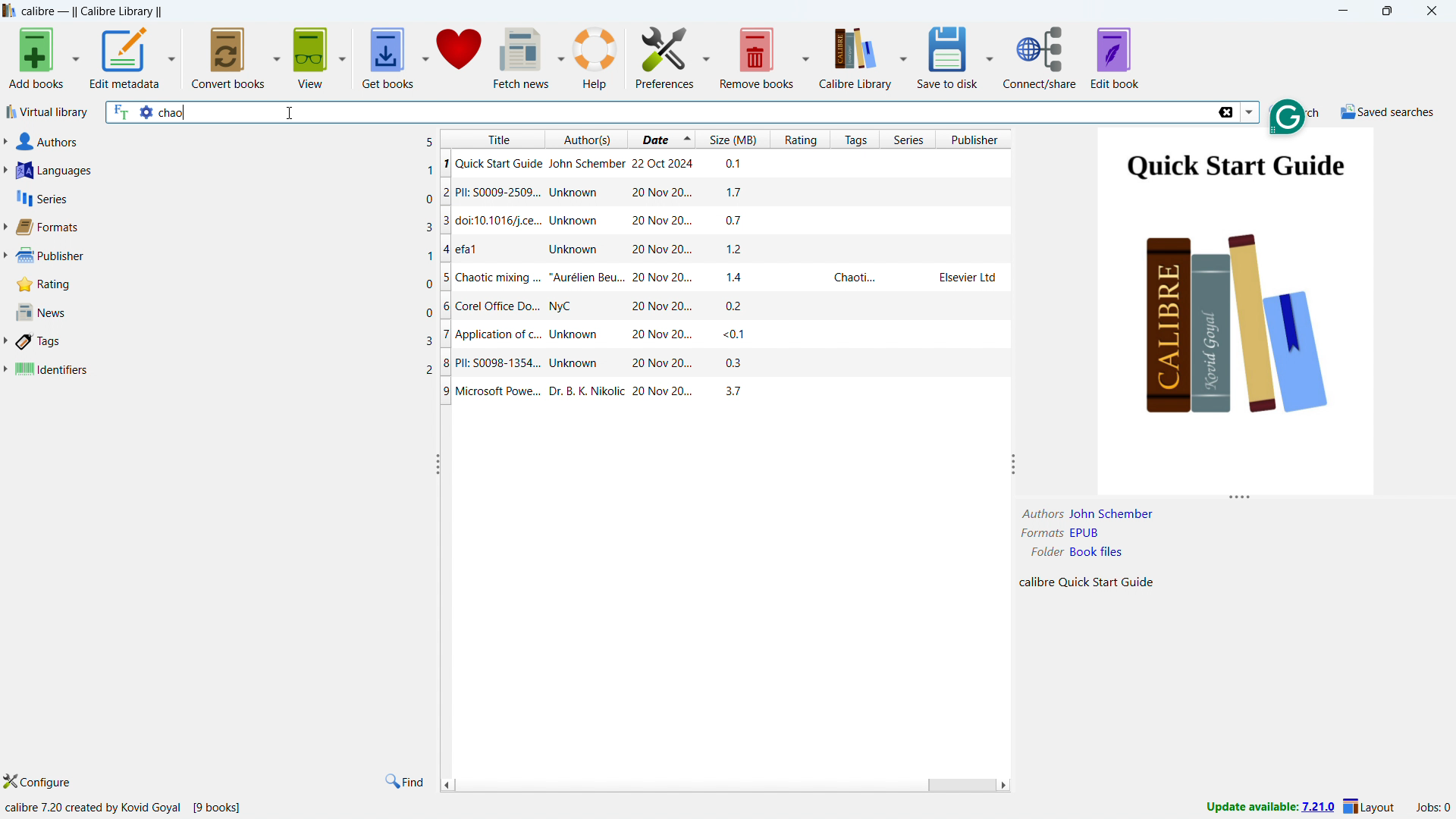  Describe the element at coordinates (224, 342) in the screenshot. I see `tags` at that location.